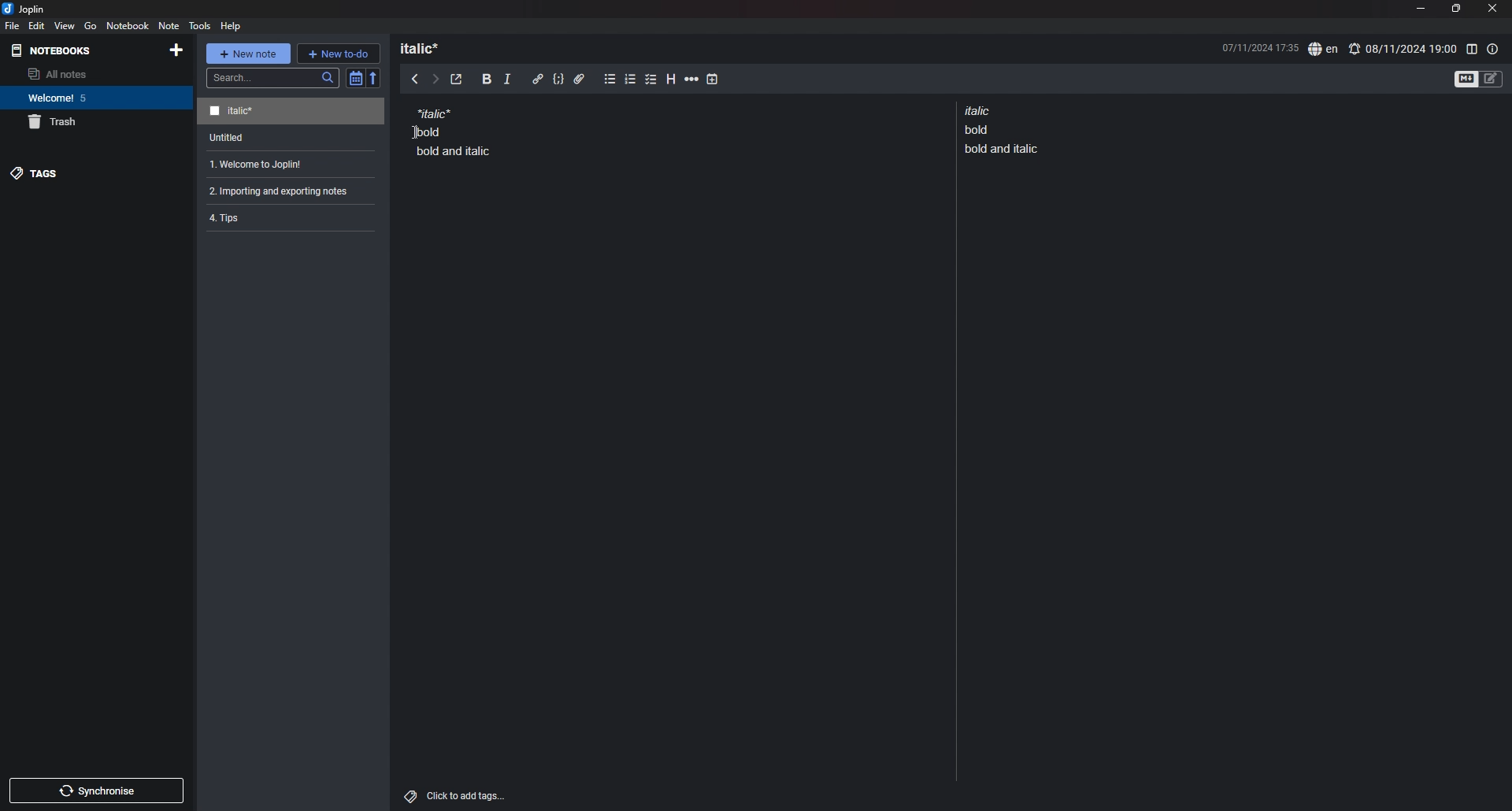  I want to click on horizontal rule, so click(691, 81).